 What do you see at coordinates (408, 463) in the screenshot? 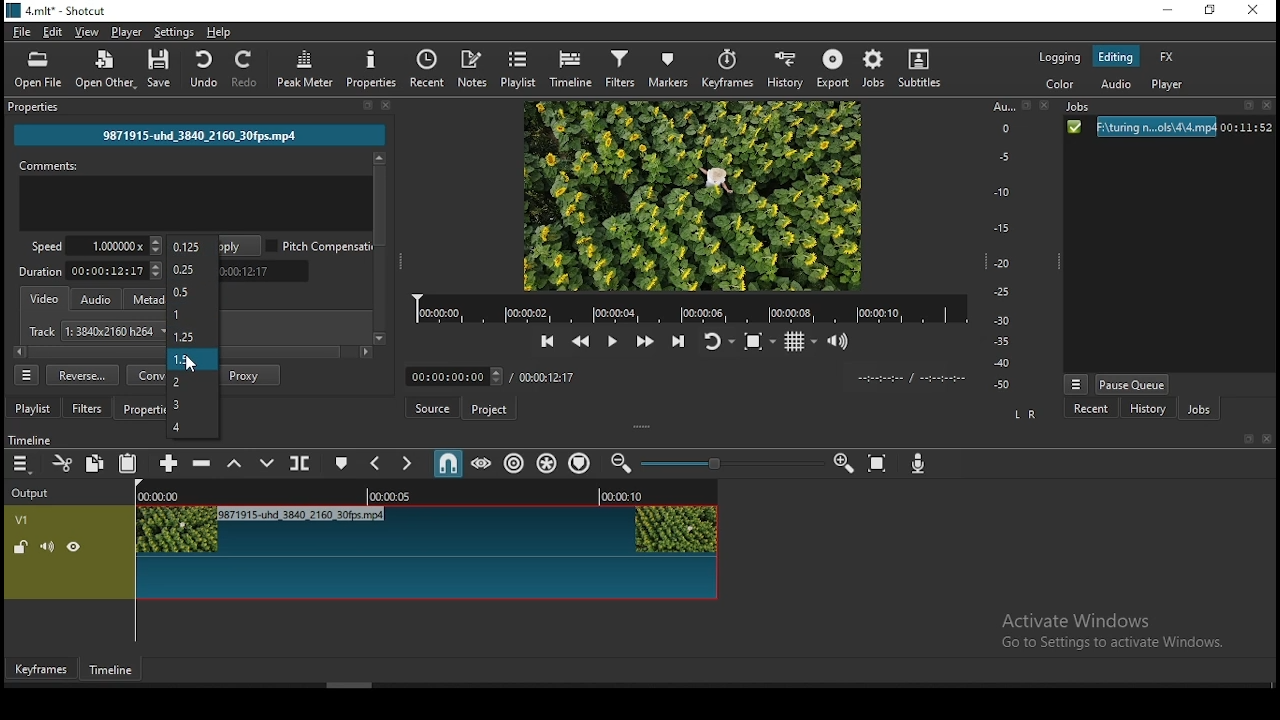
I see `next marker` at bounding box center [408, 463].